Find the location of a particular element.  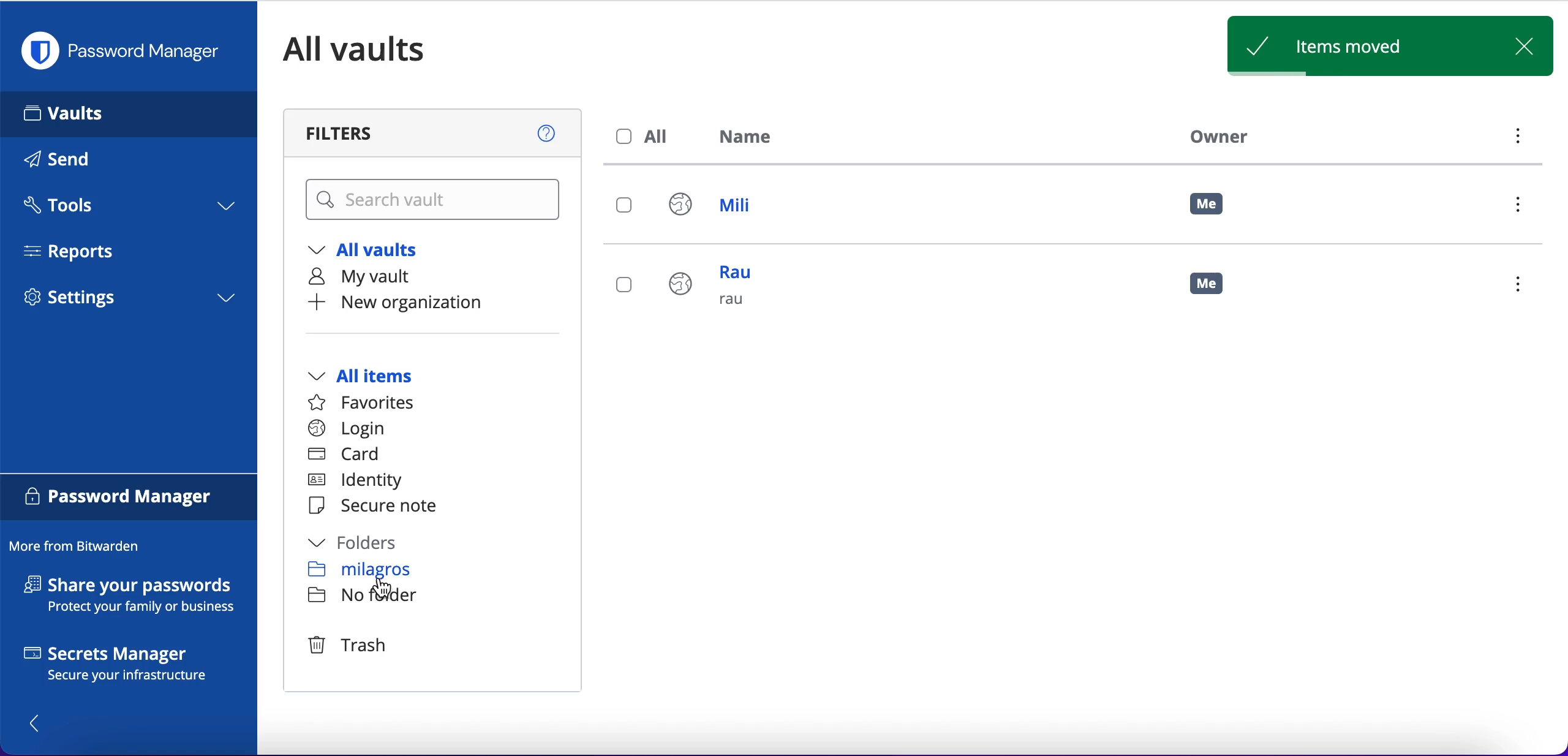

more from bitwarden is located at coordinates (80, 547).